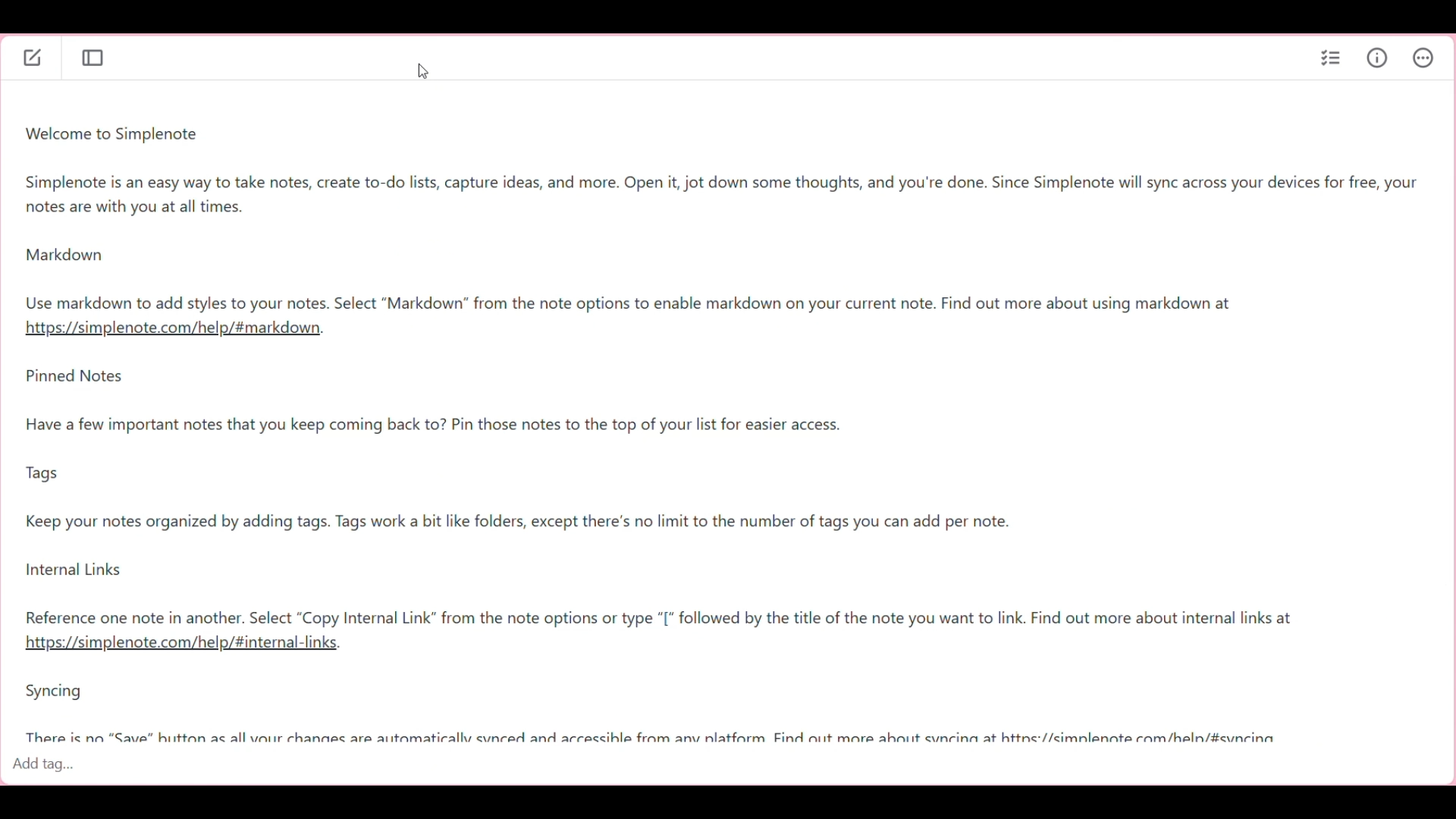  What do you see at coordinates (172, 332) in the screenshot?
I see `link1` at bounding box center [172, 332].